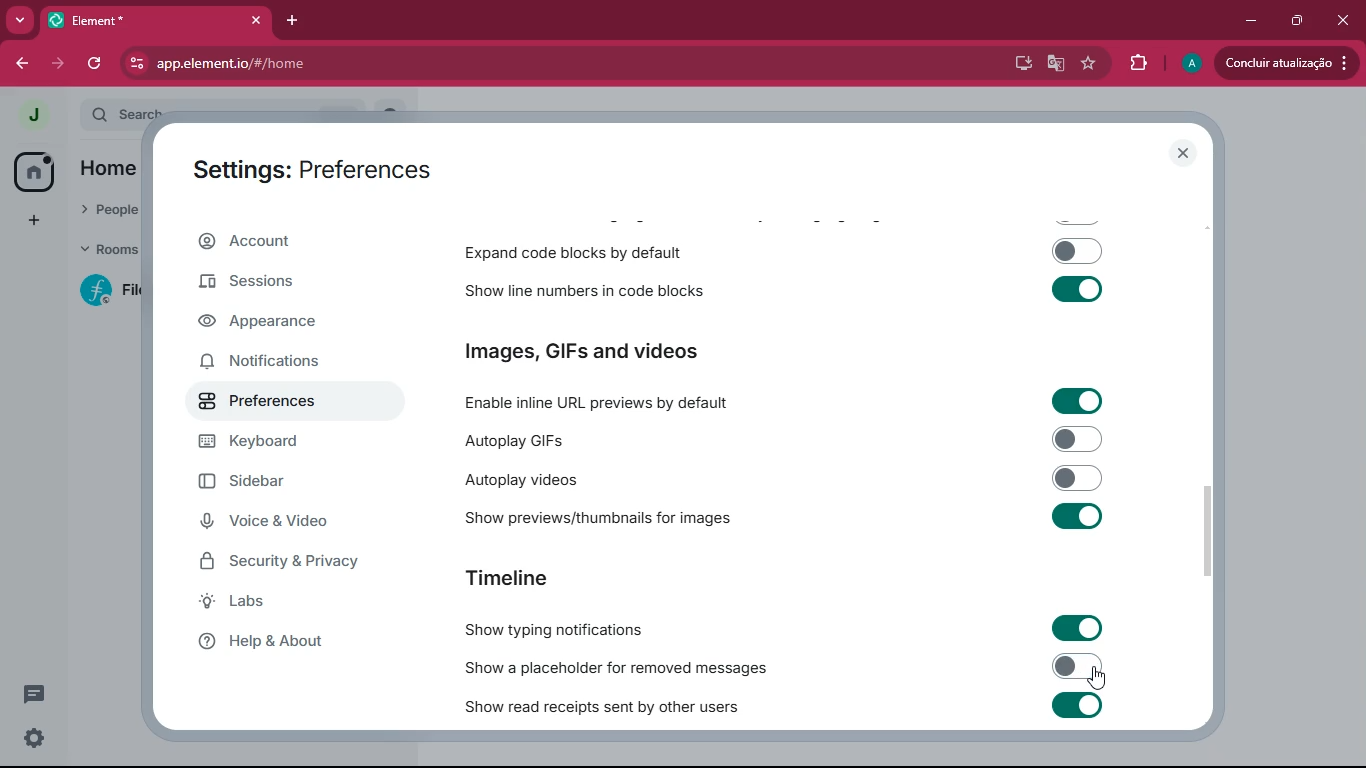 This screenshot has height=768, width=1366. I want to click on toggle on/off, so click(1077, 515).